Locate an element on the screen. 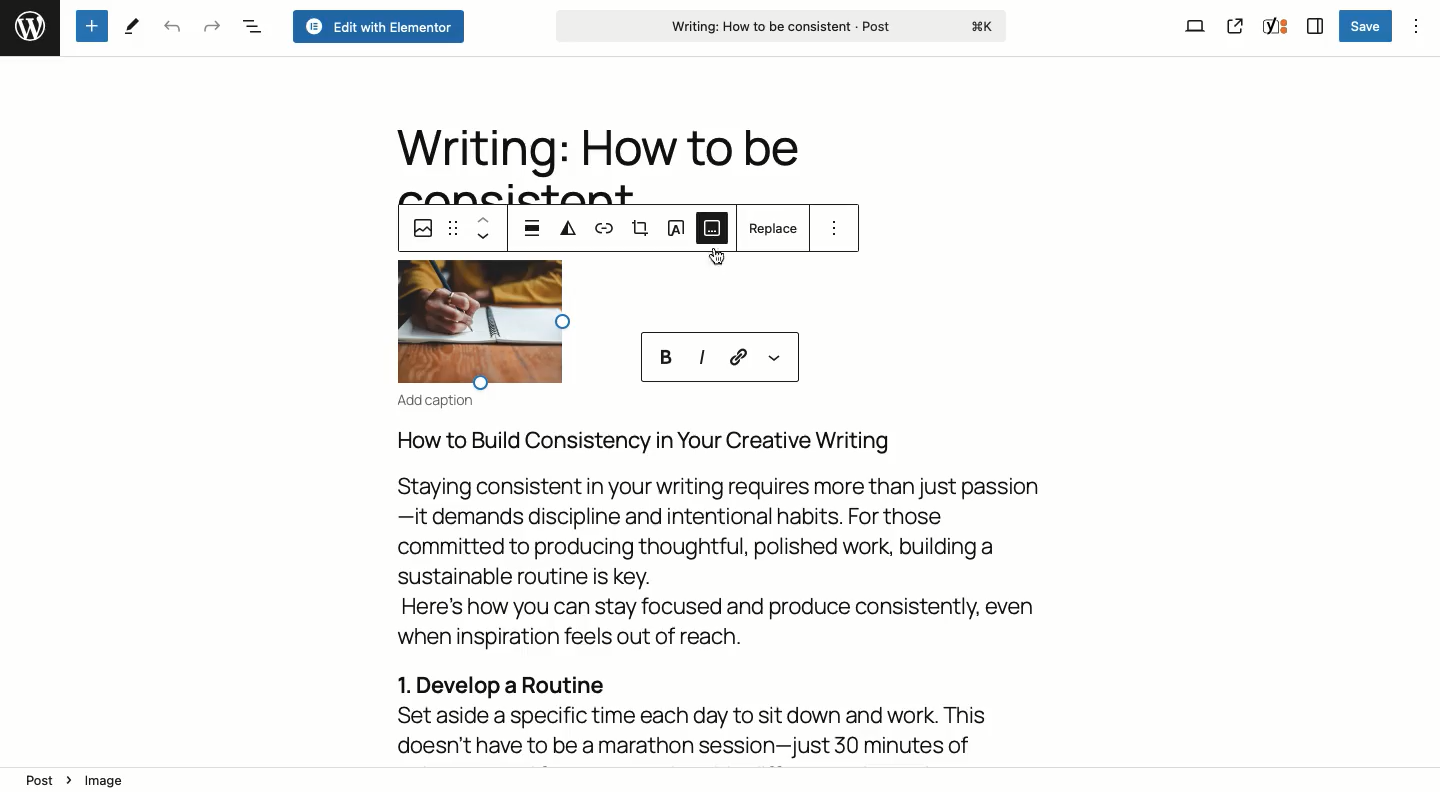 The height and width of the screenshot is (792, 1440). View post is located at coordinates (1235, 27).